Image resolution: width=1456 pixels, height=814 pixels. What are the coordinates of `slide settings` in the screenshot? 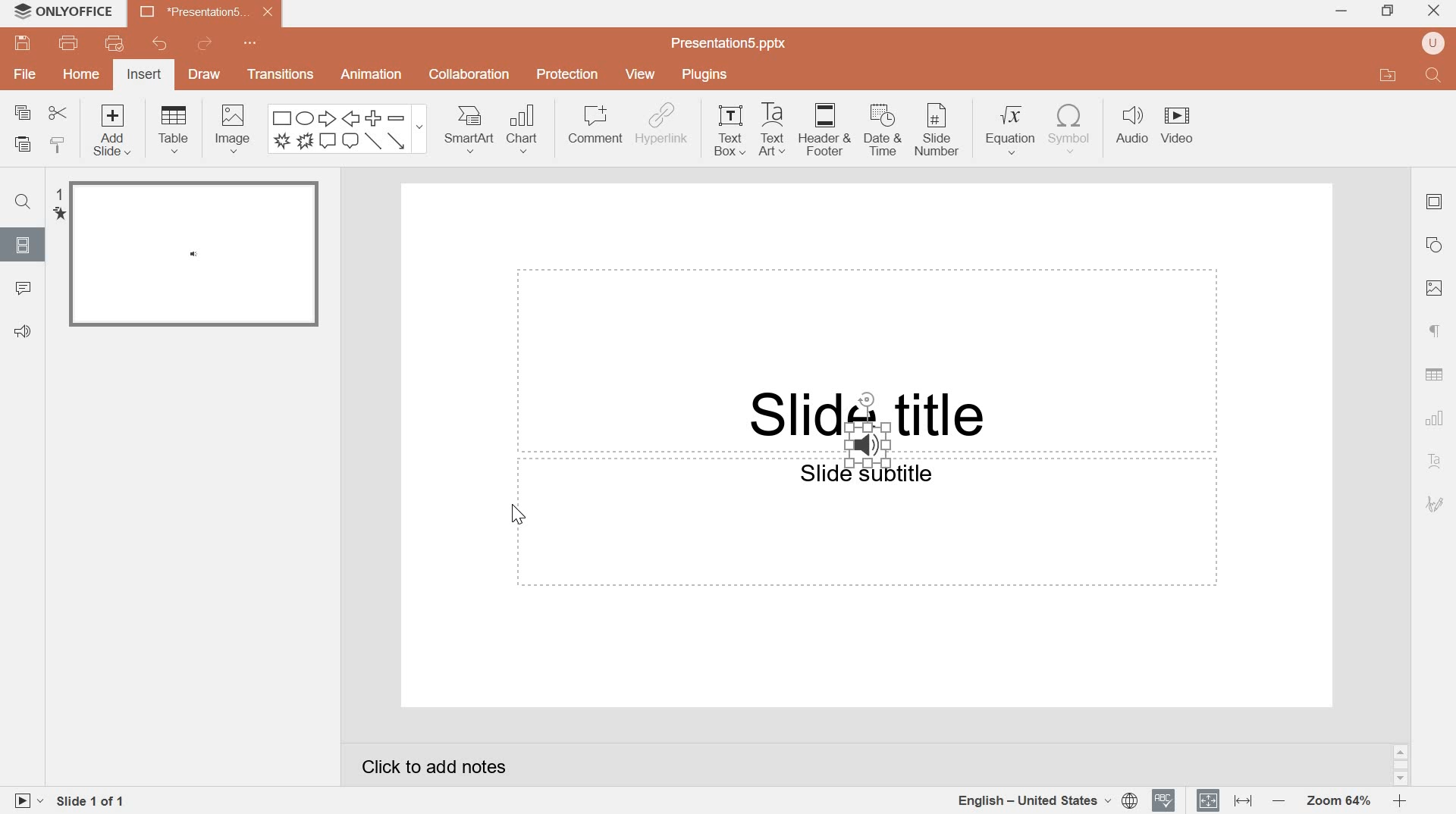 It's located at (1434, 202).